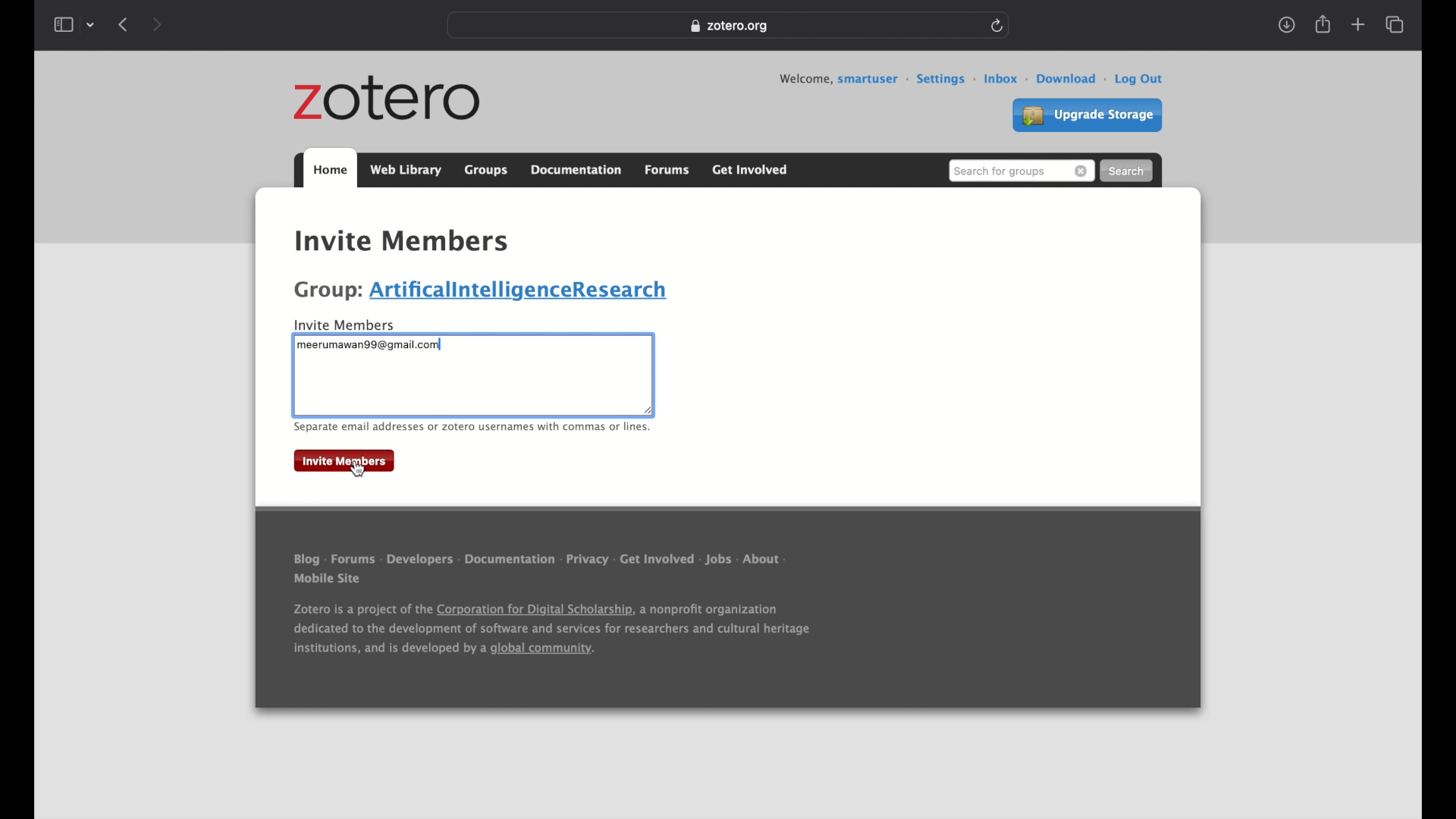 This screenshot has height=819, width=1456. Describe the element at coordinates (438, 384) in the screenshot. I see `Icursor` at that location.